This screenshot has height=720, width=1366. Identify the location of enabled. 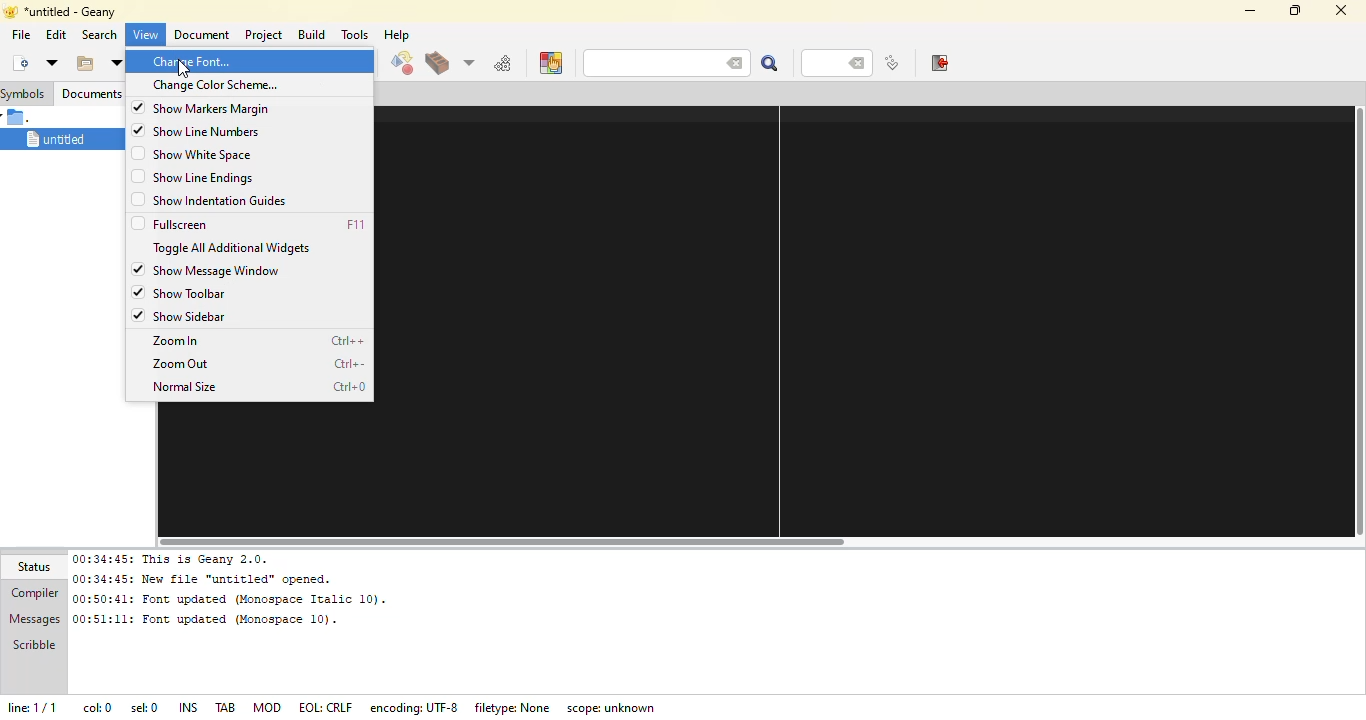
(137, 269).